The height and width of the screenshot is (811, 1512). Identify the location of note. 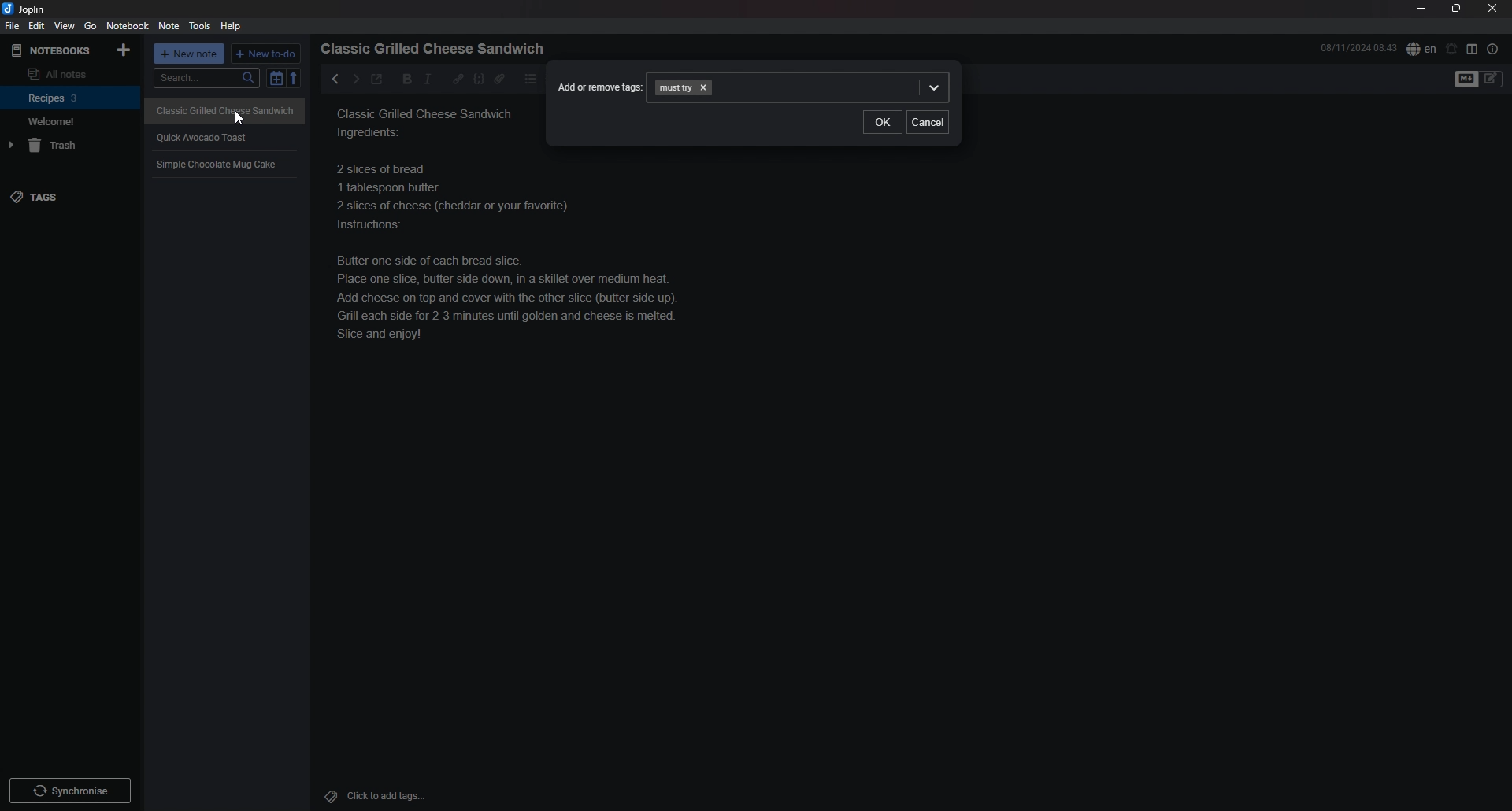
(168, 26).